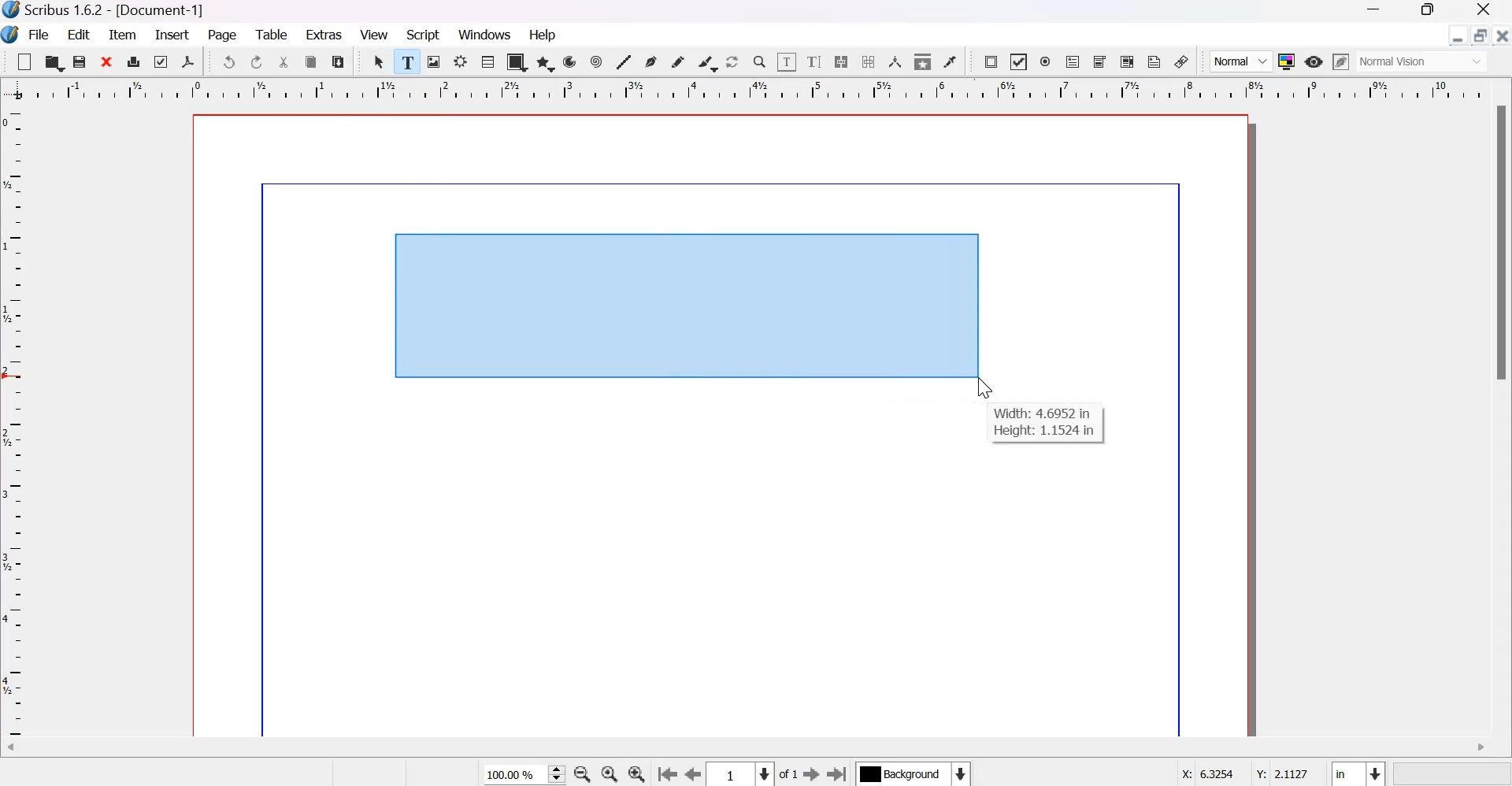 This screenshot has width=1512, height=786. Describe the element at coordinates (224, 36) in the screenshot. I see `page` at that location.